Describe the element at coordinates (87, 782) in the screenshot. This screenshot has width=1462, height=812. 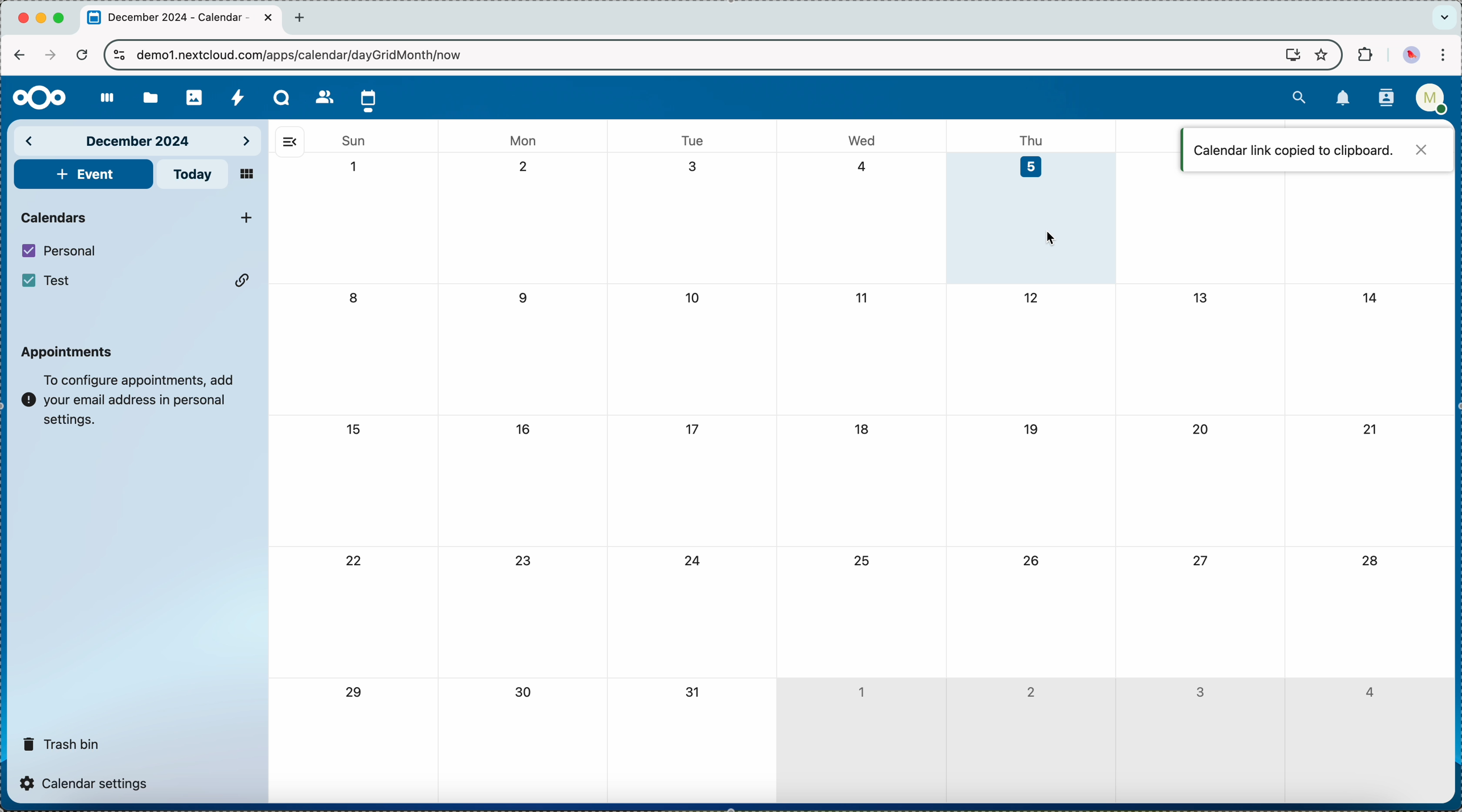
I see `calendar settings` at that location.